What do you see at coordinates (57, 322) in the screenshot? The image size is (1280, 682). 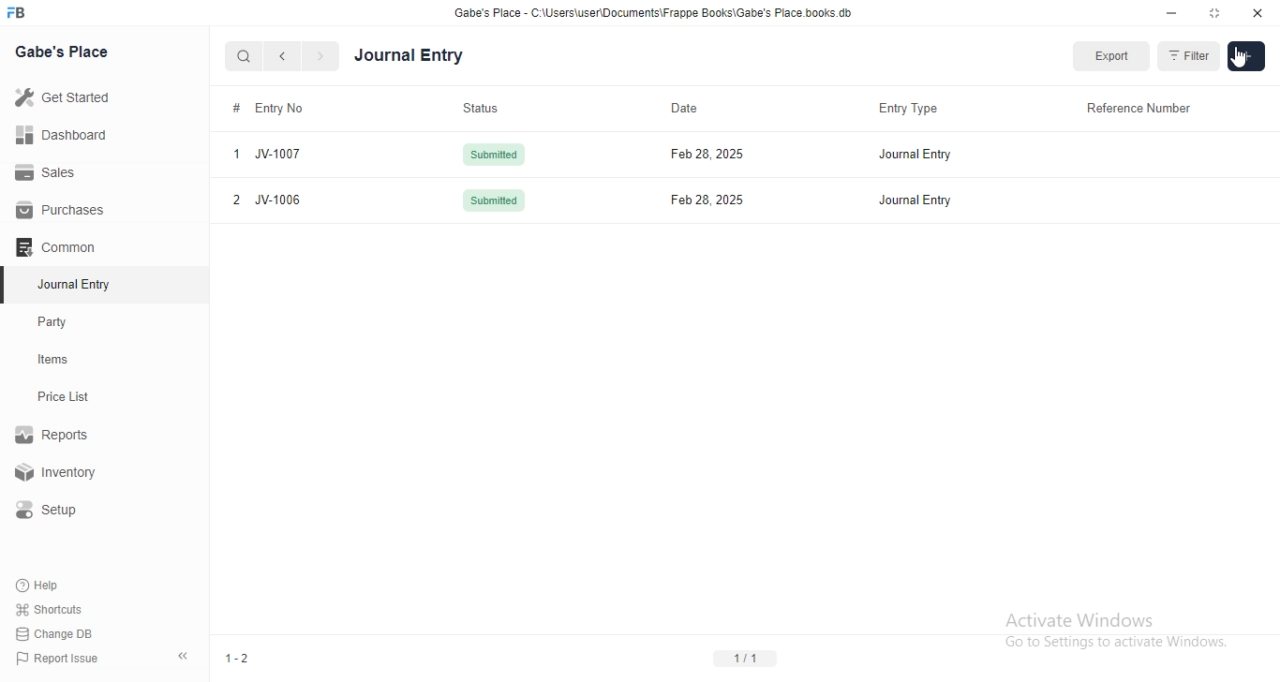 I see `Party` at bounding box center [57, 322].